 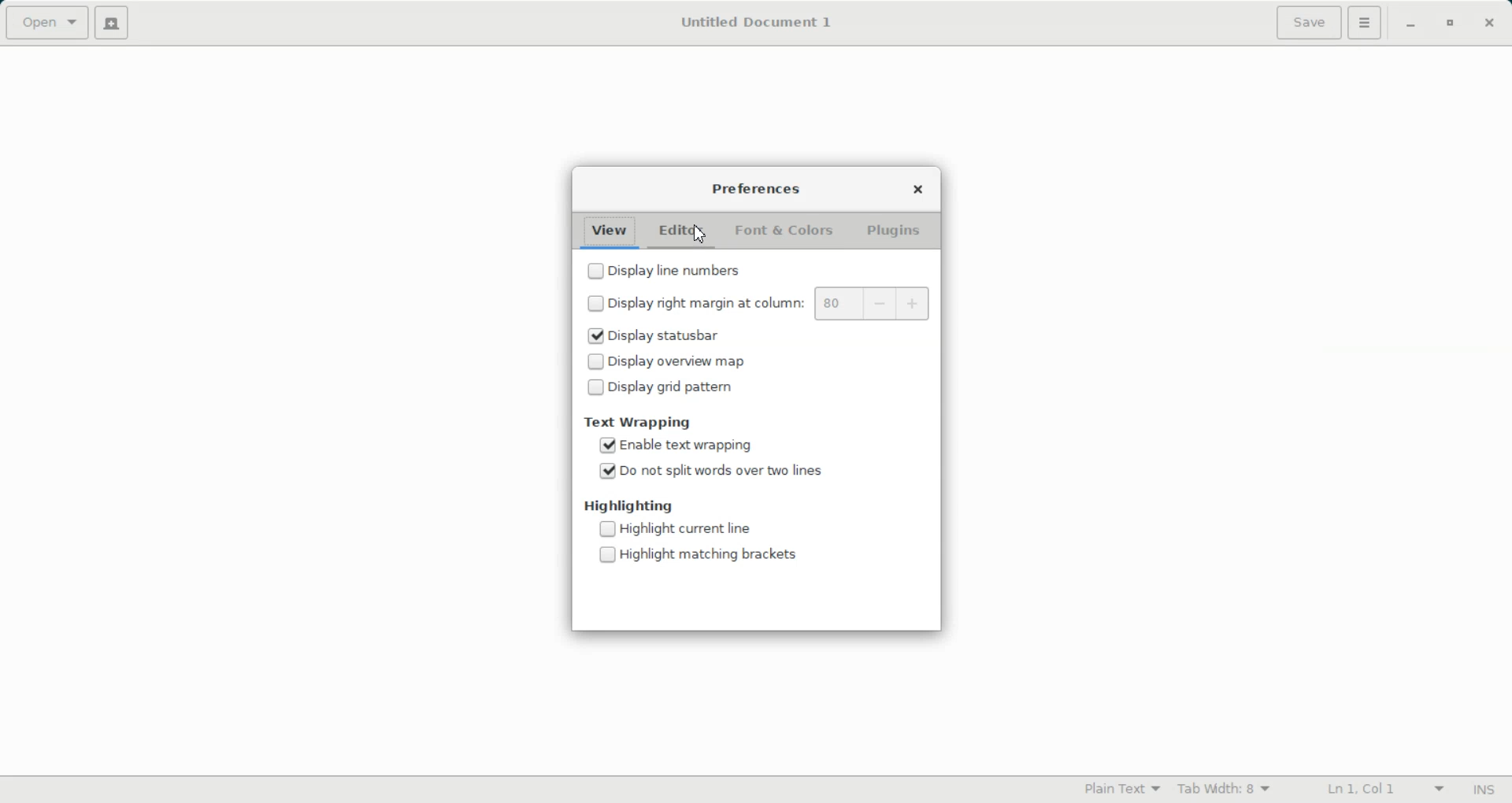 I want to click on Disable Highlight matching brackets, so click(x=697, y=554).